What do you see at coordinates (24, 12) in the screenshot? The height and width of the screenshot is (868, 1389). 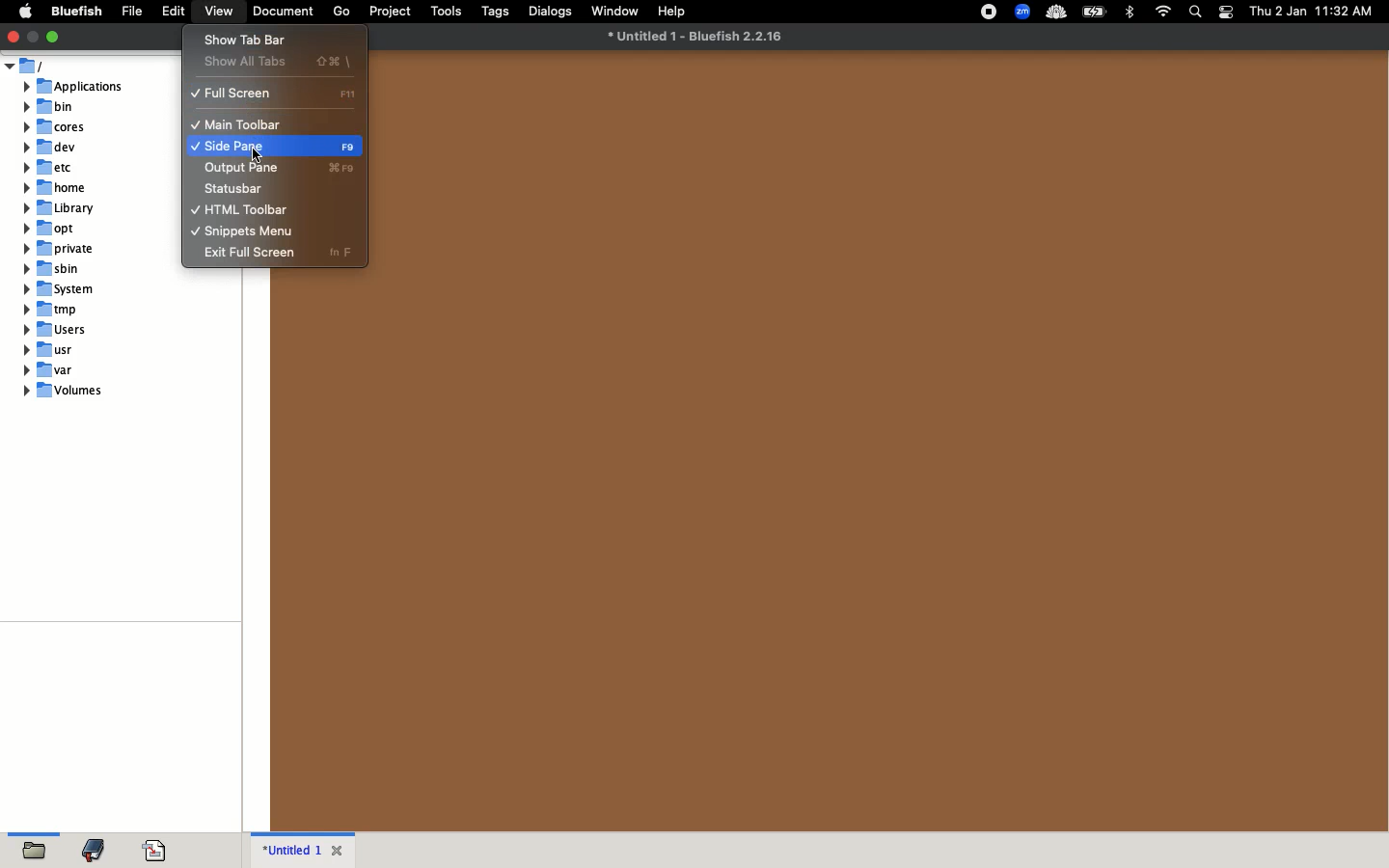 I see `apple` at bounding box center [24, 12].